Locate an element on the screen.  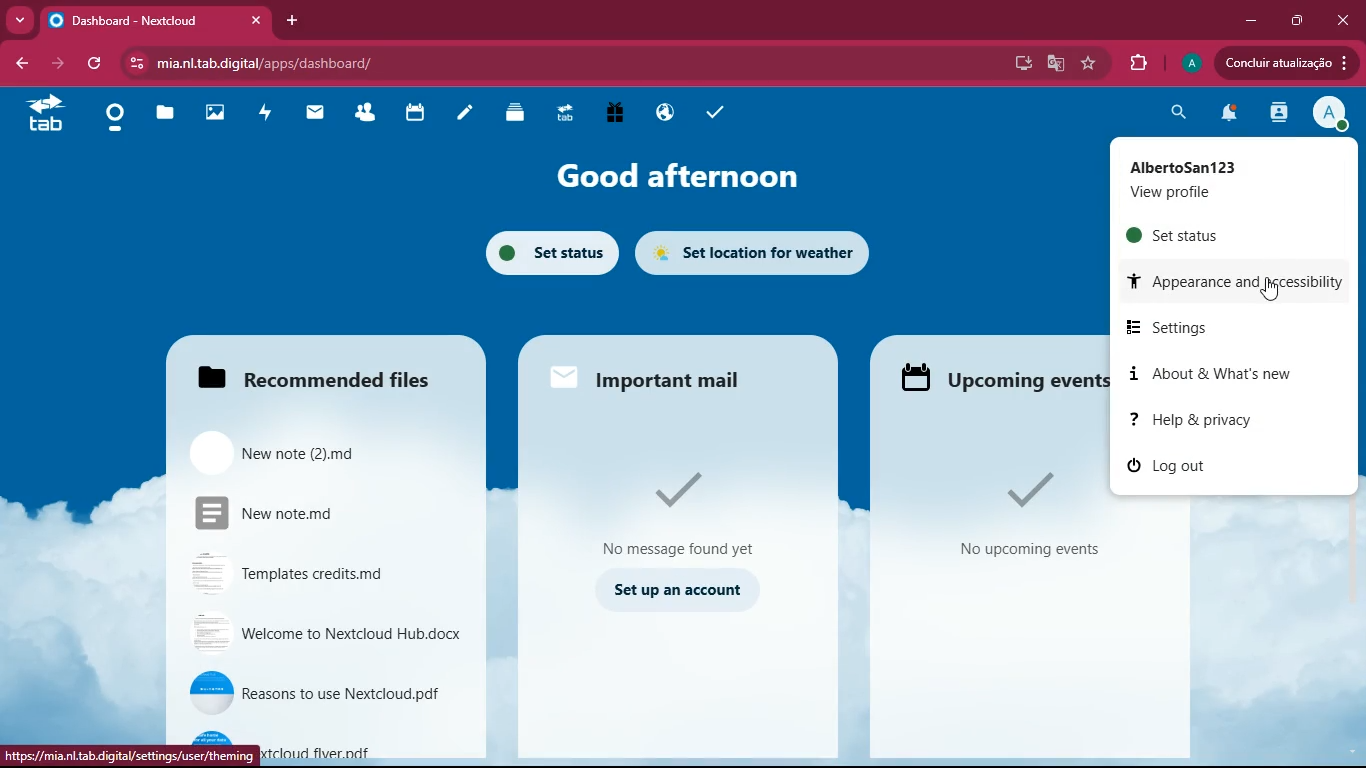
Important mail is located at coordinates (647, 378).